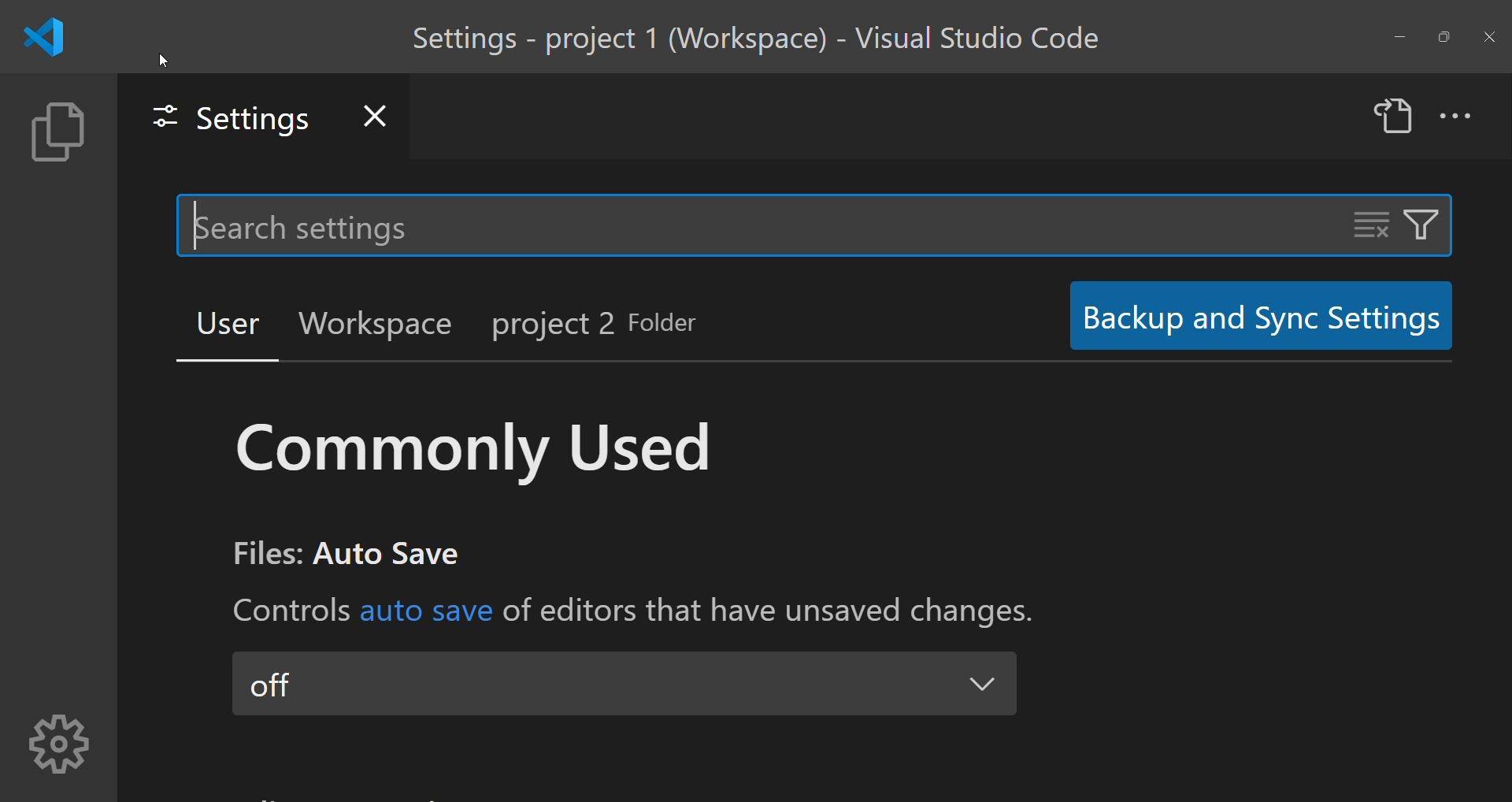  What do you see at coordinates (746, 226) in the screenshot?
I see `search setting` at bounding box center [746, 226].